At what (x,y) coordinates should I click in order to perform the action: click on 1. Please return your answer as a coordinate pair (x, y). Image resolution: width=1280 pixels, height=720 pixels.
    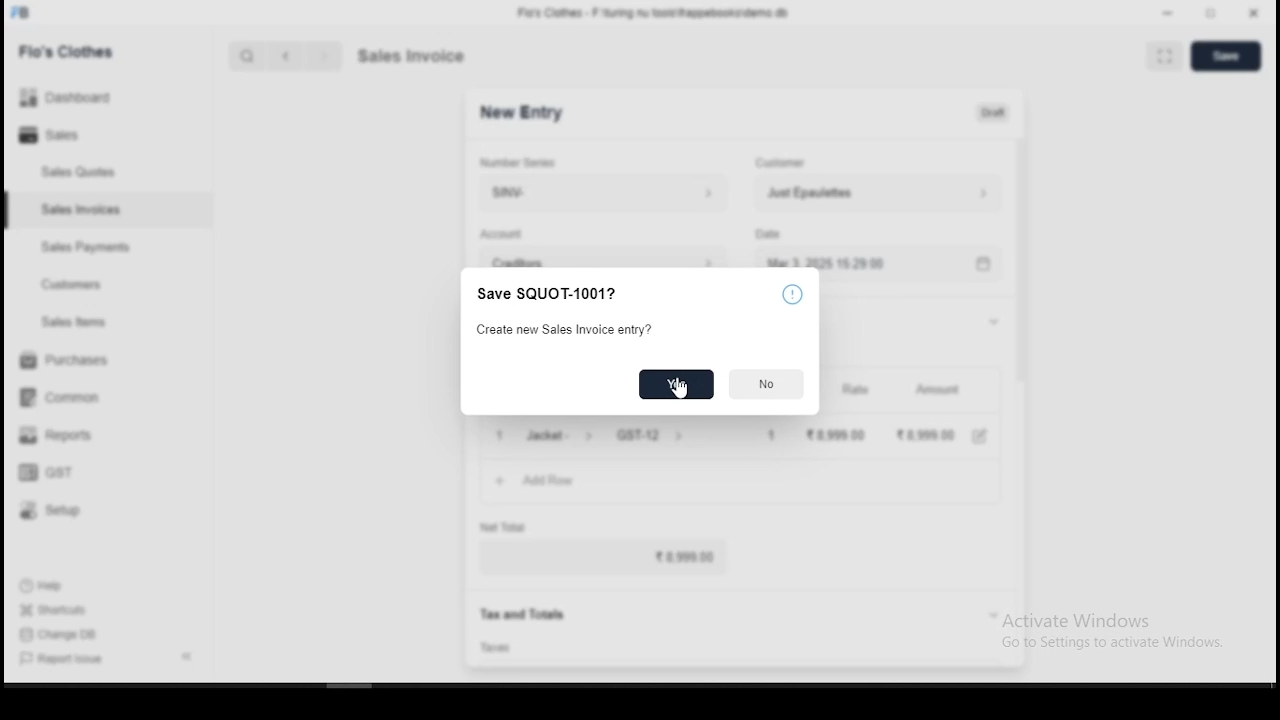
    Looking at the image, I should click on (771, 434).